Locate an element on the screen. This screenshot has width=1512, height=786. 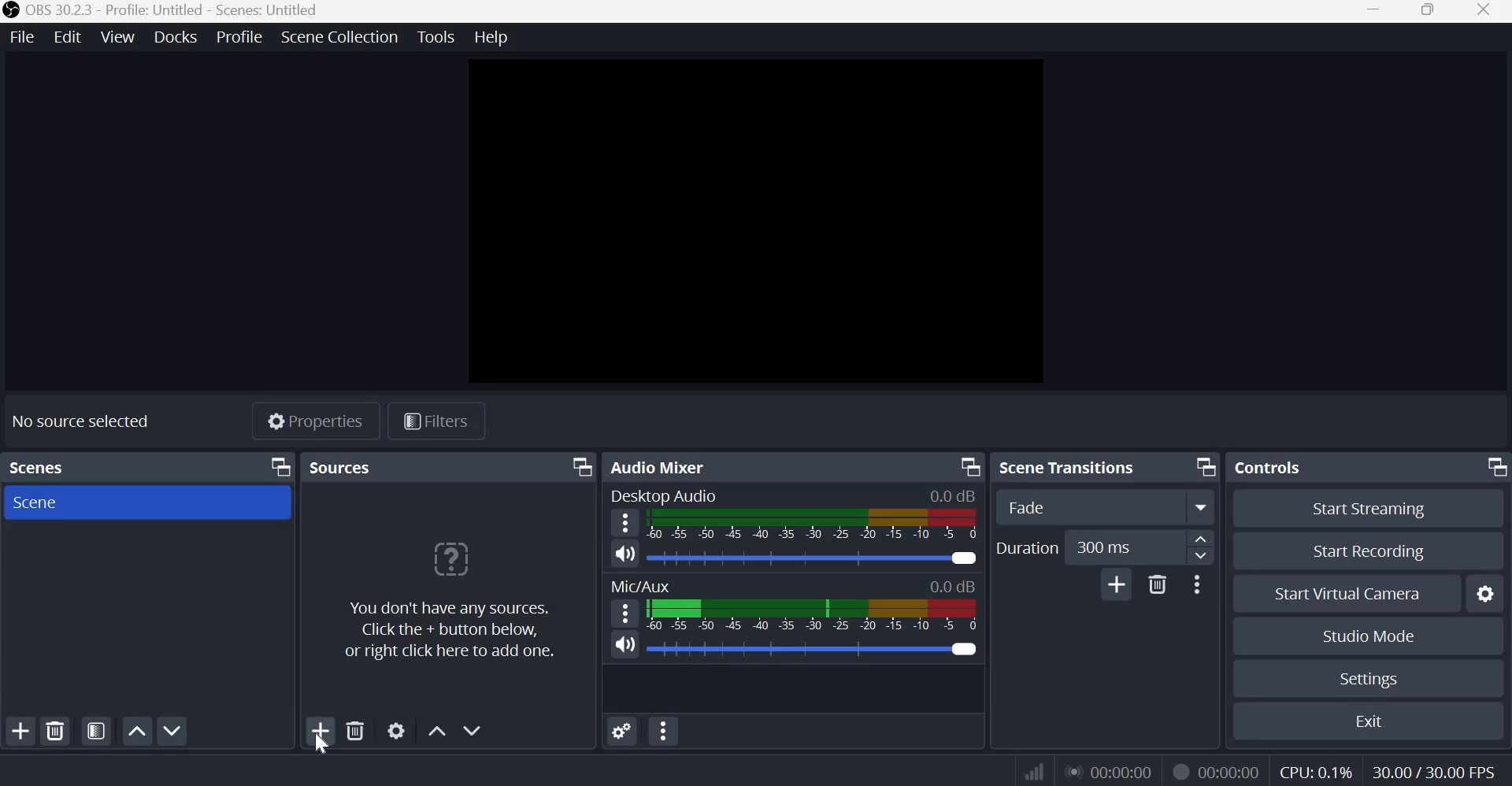
Sources is located at coordinates (342, 466).